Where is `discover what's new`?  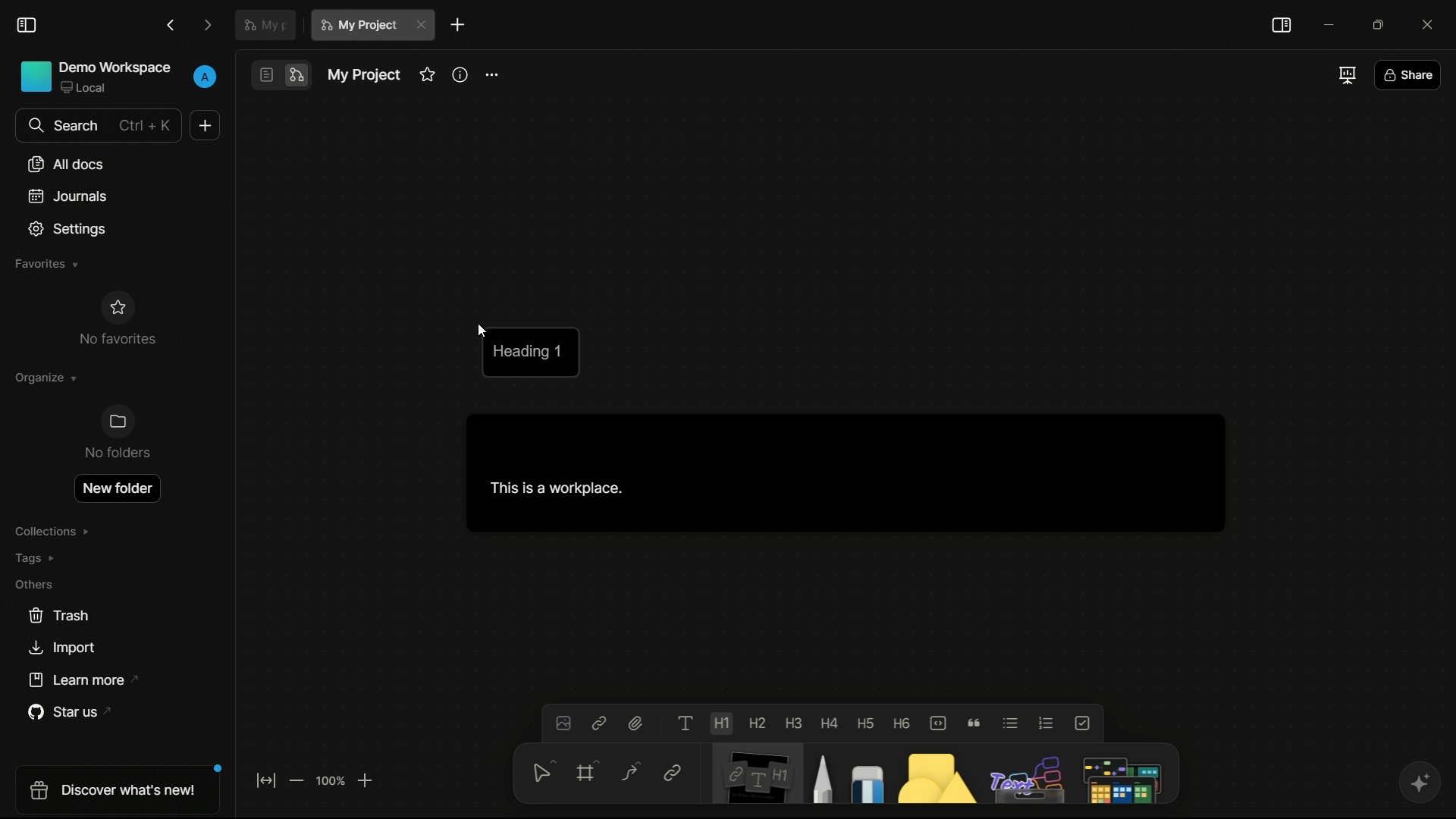
discover what's new is located at coordinates (113, 793).